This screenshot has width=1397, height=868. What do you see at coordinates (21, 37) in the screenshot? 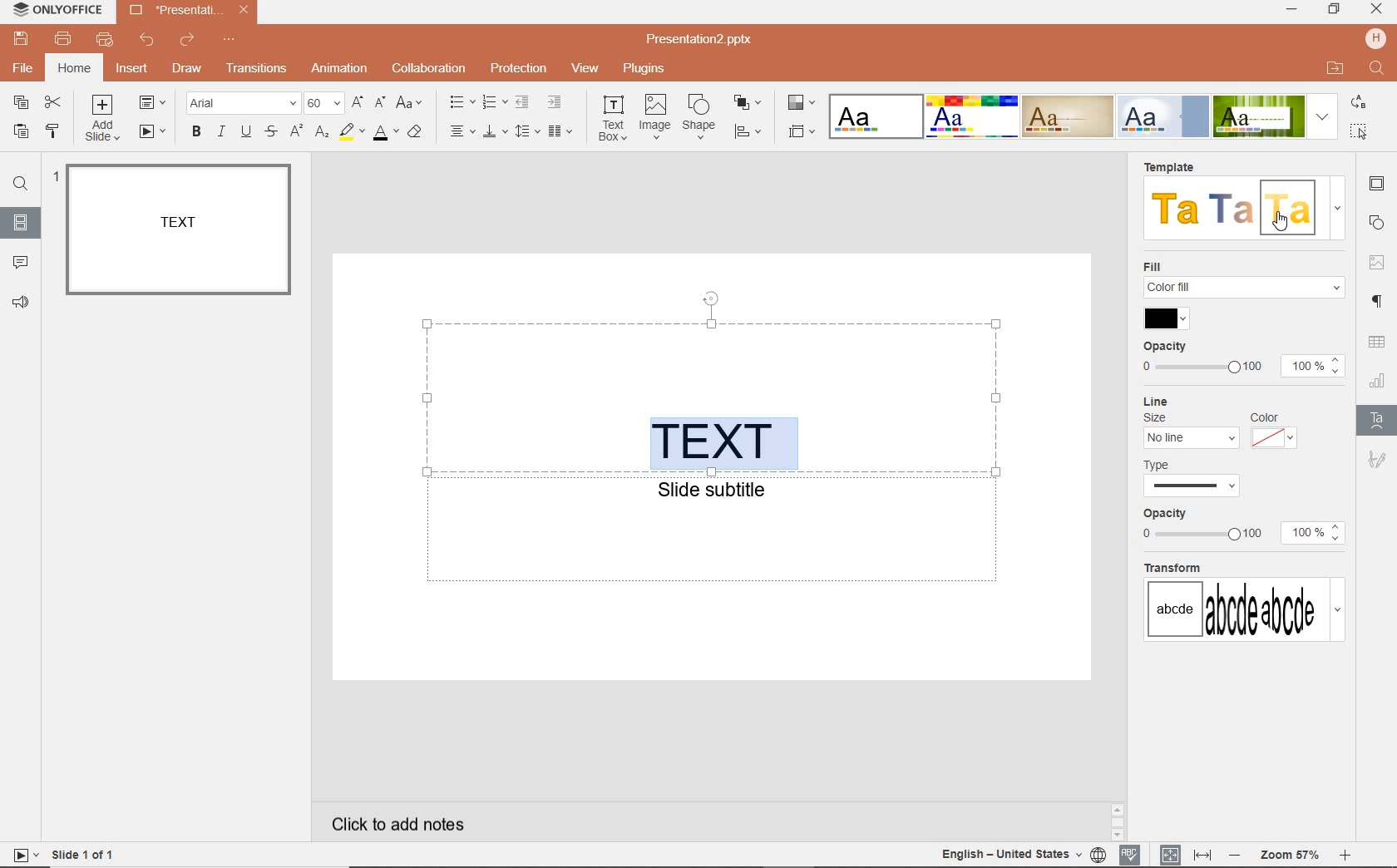
I see `SAVE` at bounding box center [21, 37].